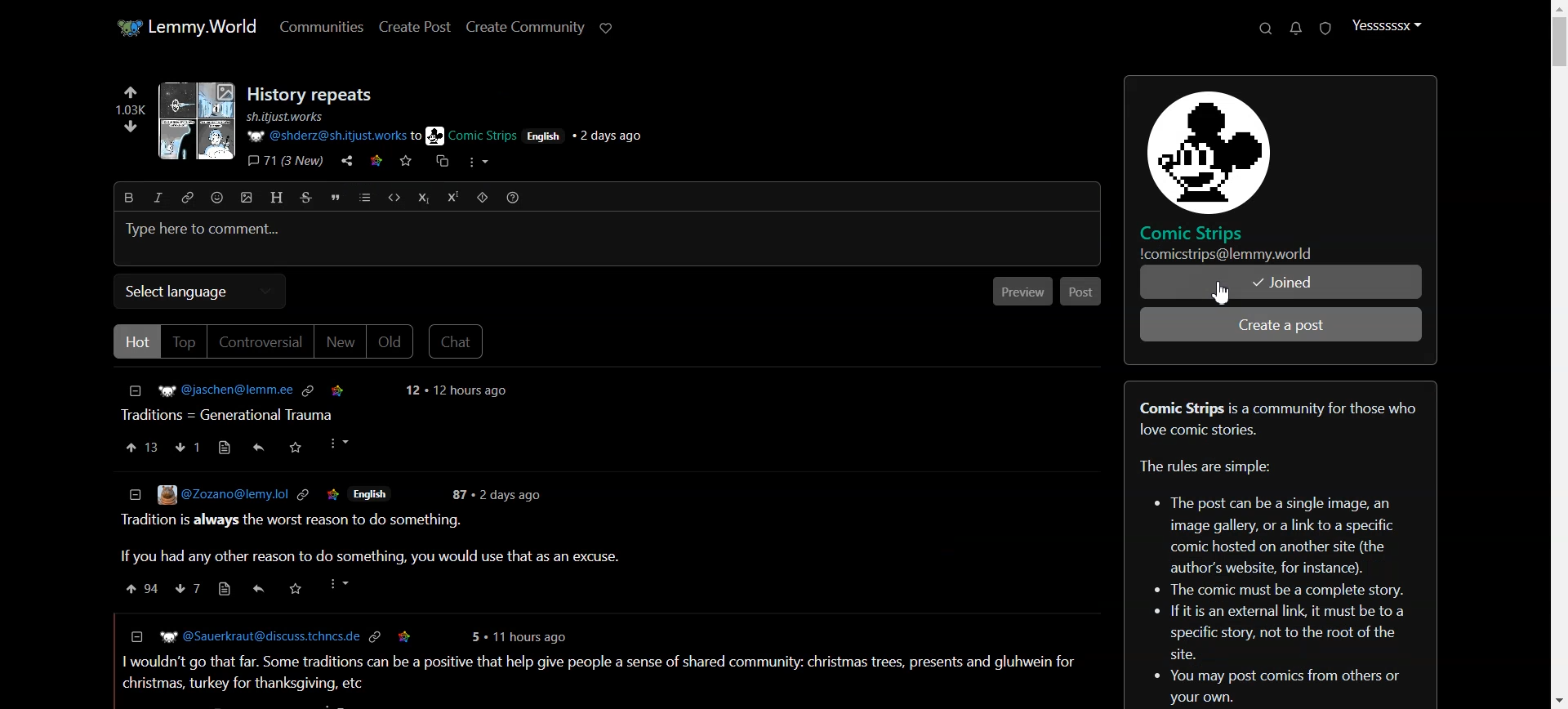 This screenshot has height=709, width=1568. I want to click on Copy, so click(439, 164).